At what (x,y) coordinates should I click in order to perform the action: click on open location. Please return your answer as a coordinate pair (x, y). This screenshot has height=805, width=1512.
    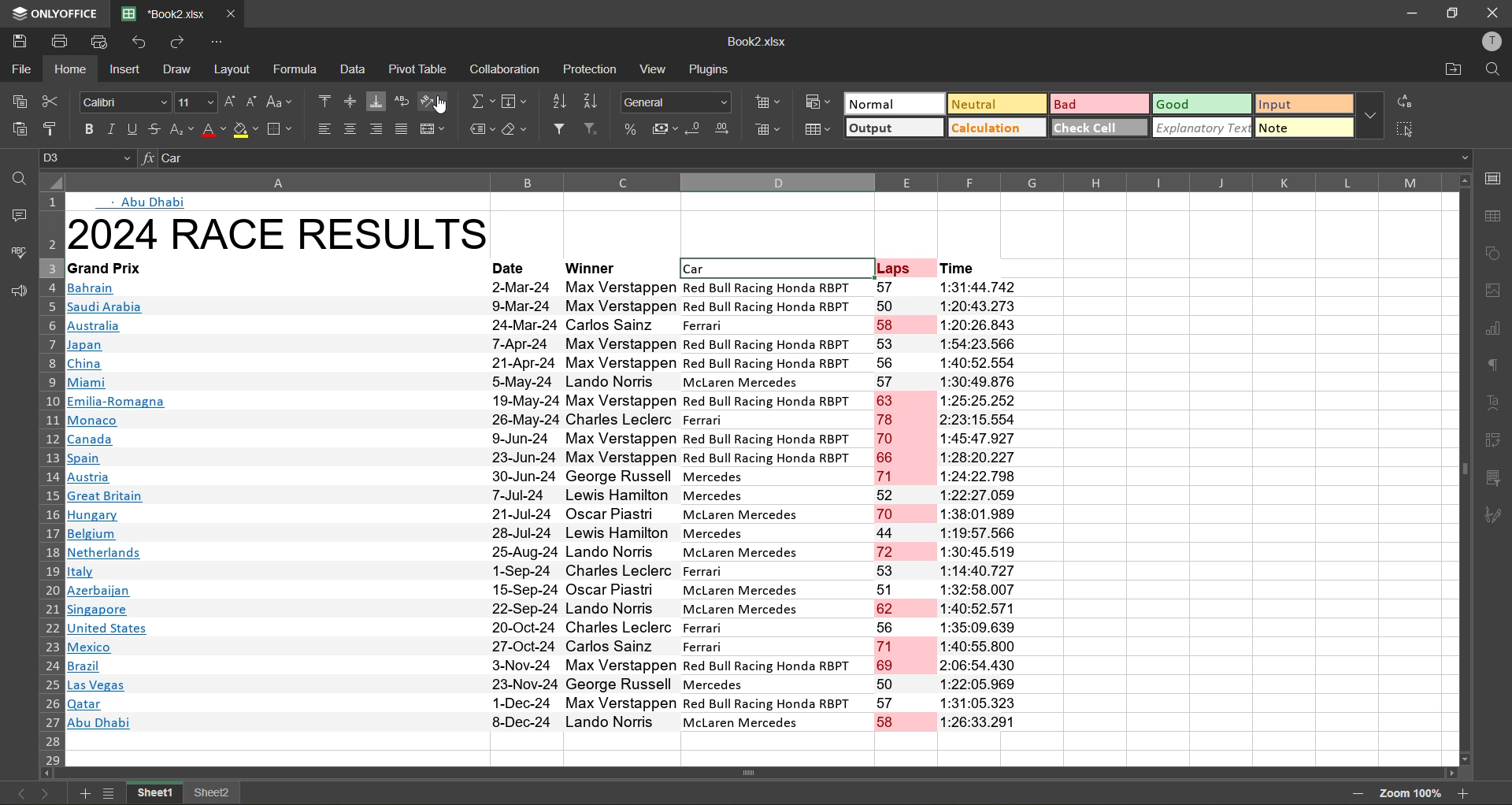
    Looking at the image, I should click on (1454, 69).